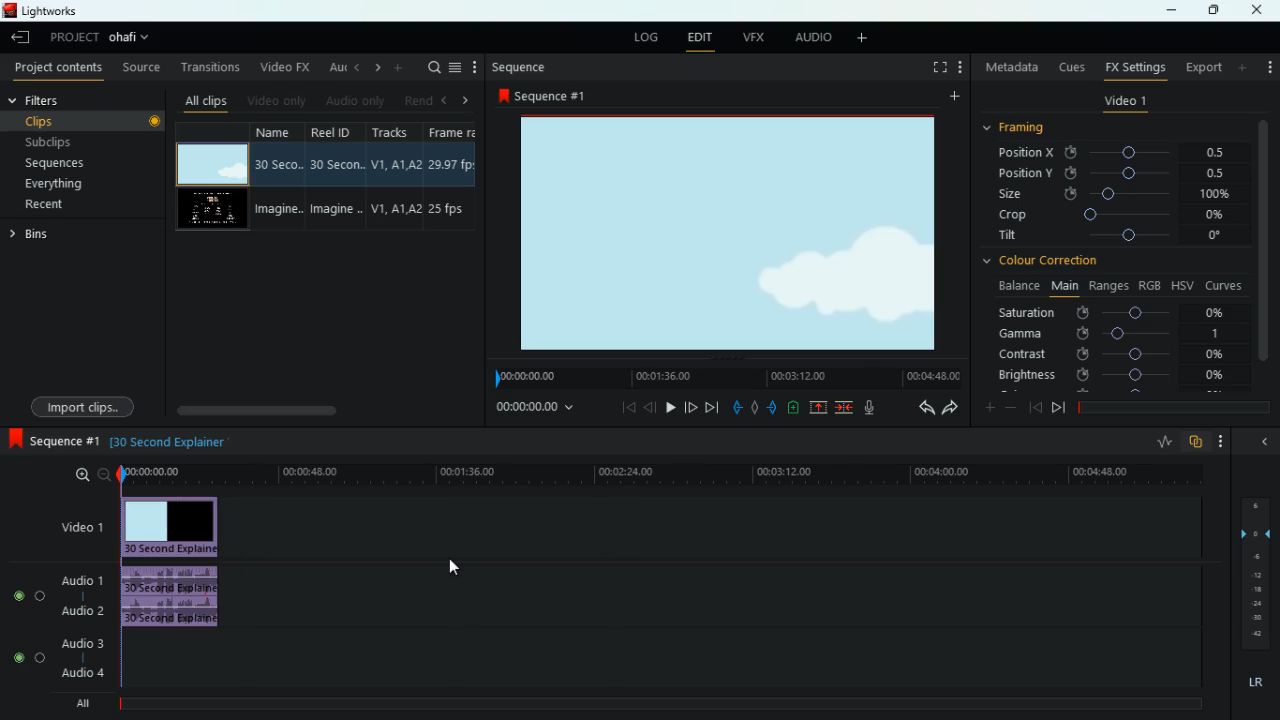 This screenshot has width=1280, height=720. What do you see at coordinates (1171, 407) in the screenshot?
I see `timeline` at bounding box center [1171, 407].